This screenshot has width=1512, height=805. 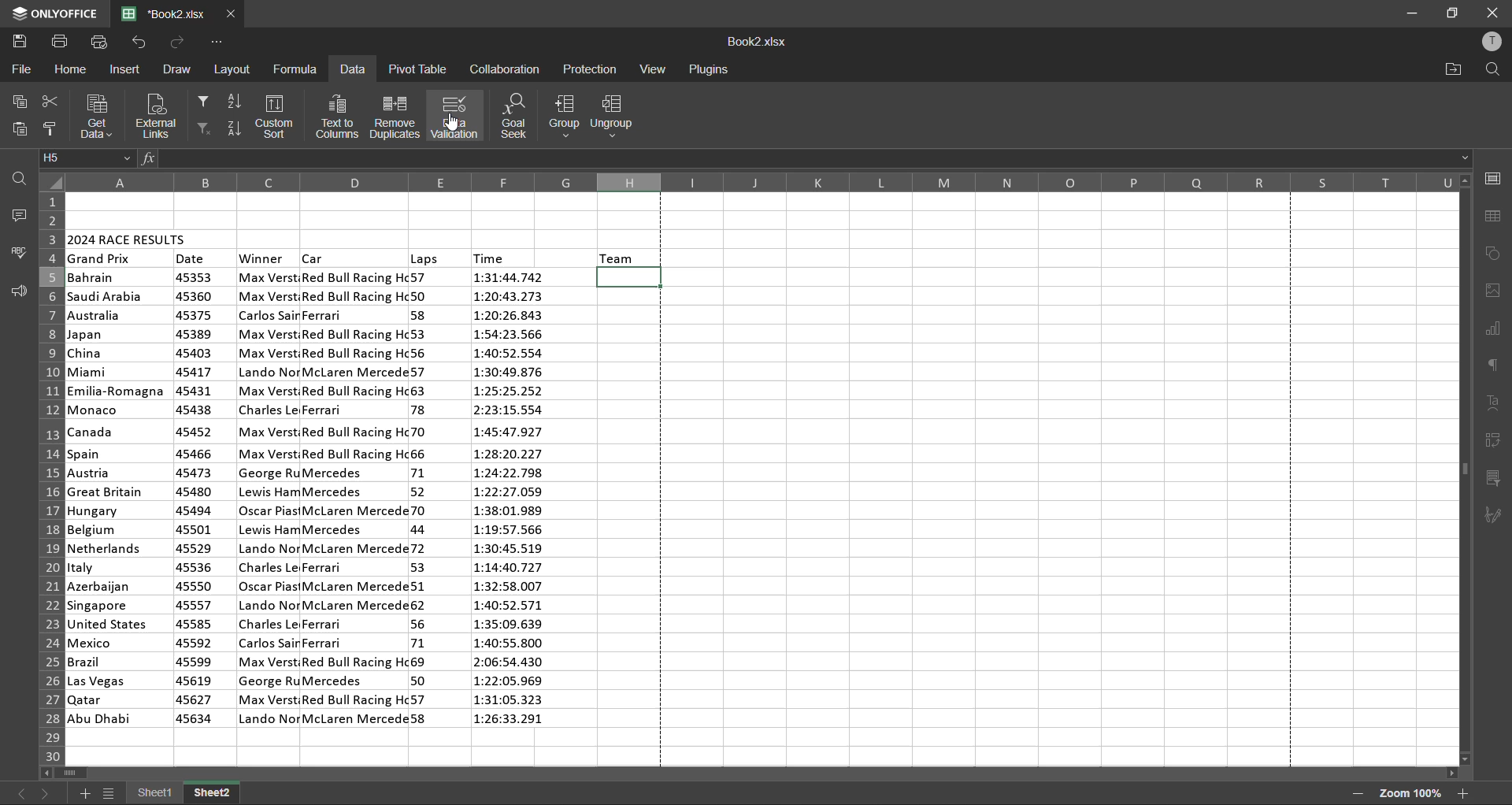 What do you see at coordinates (632, 277) in the screenshot?
I see `selected cell` at bounding box center [632, 277].